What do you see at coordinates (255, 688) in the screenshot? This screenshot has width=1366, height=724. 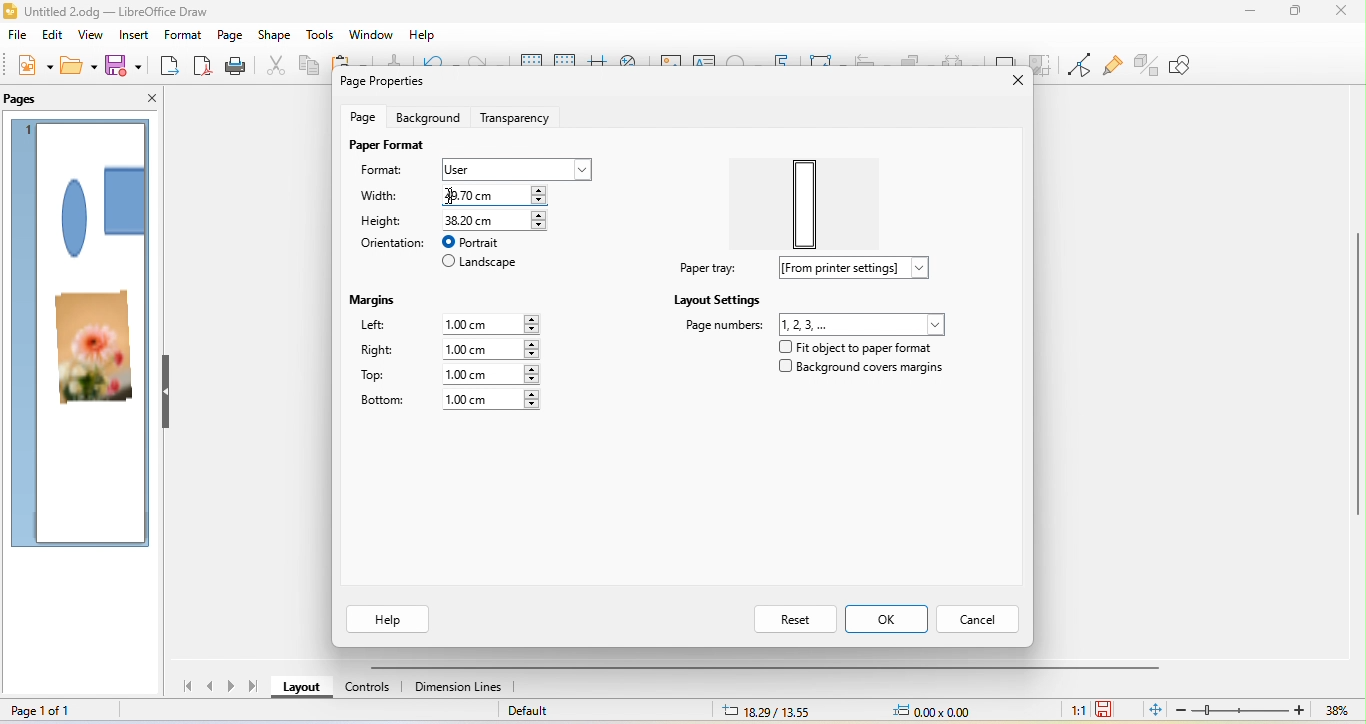 I see `last page` at bounding box center [255, 688].